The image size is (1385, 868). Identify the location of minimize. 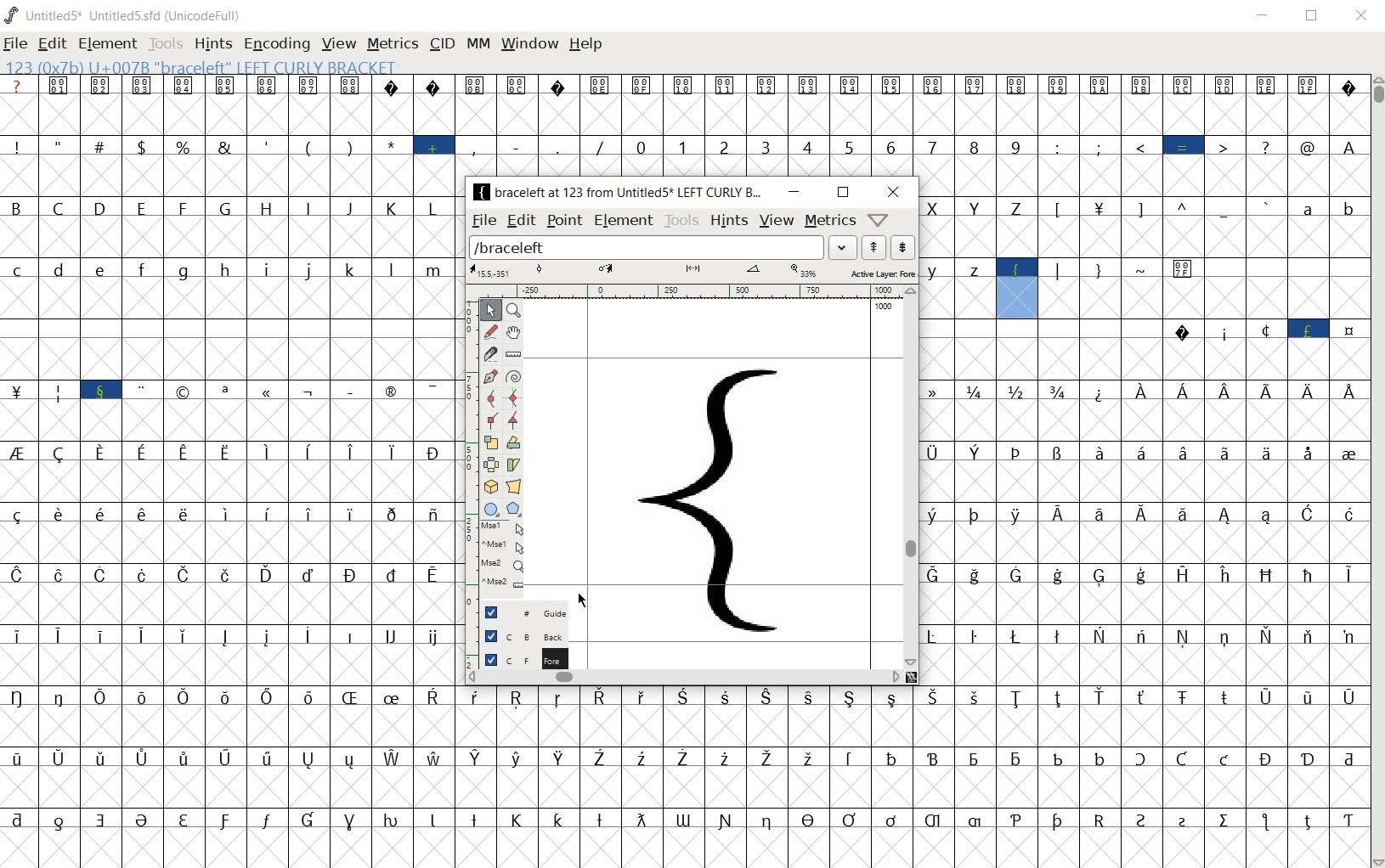
(1266, 16).